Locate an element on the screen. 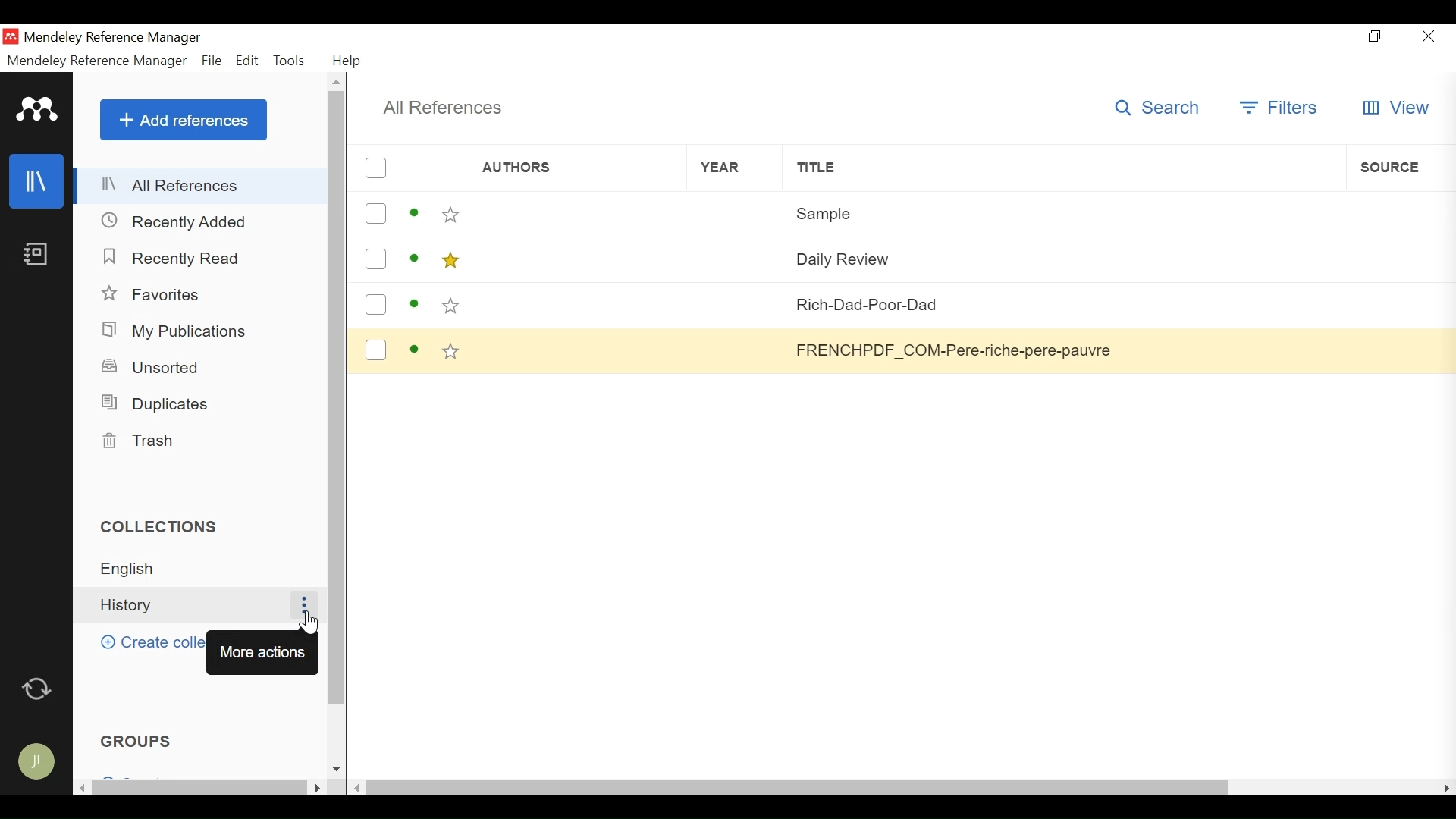 This screenshot has width=1456, height=819. More actions is located at coordinates (265, 652).